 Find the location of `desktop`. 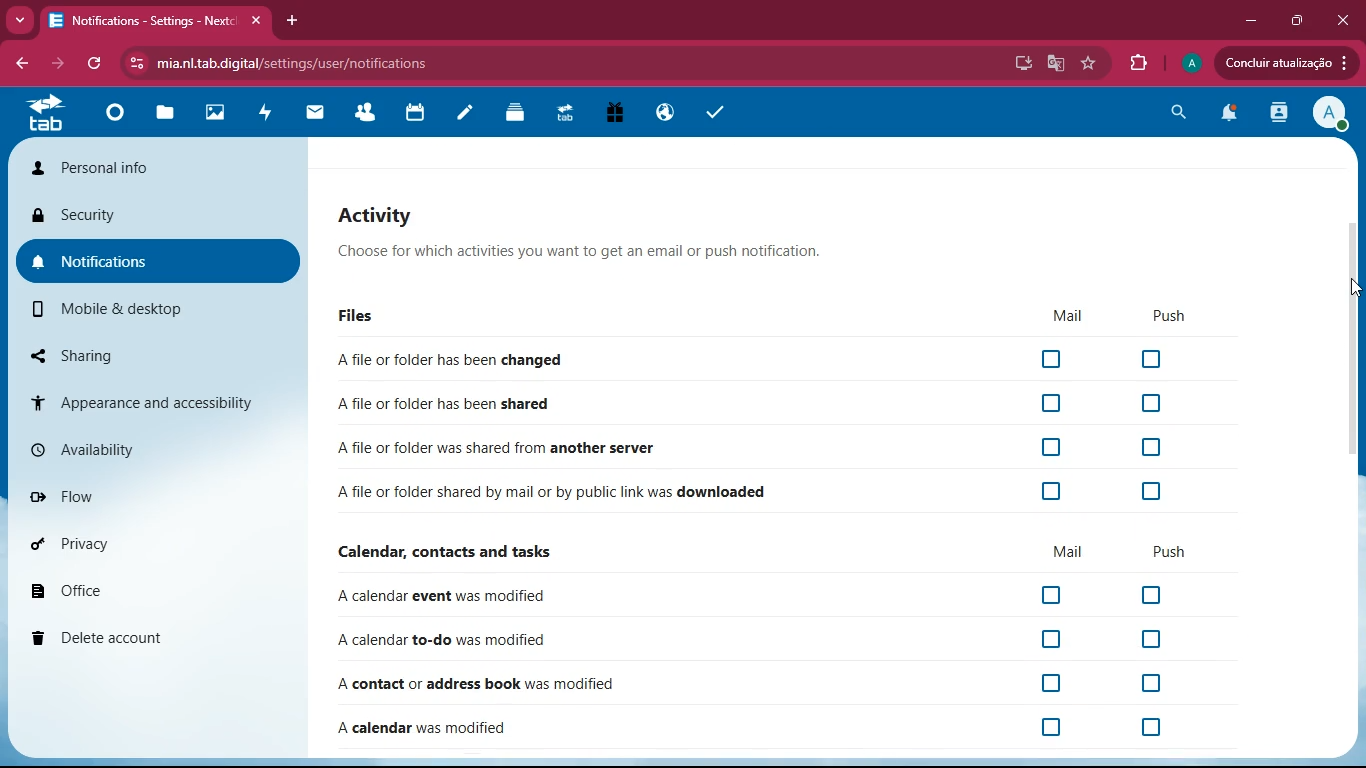

desktop is located at coordinates (1020, 65).